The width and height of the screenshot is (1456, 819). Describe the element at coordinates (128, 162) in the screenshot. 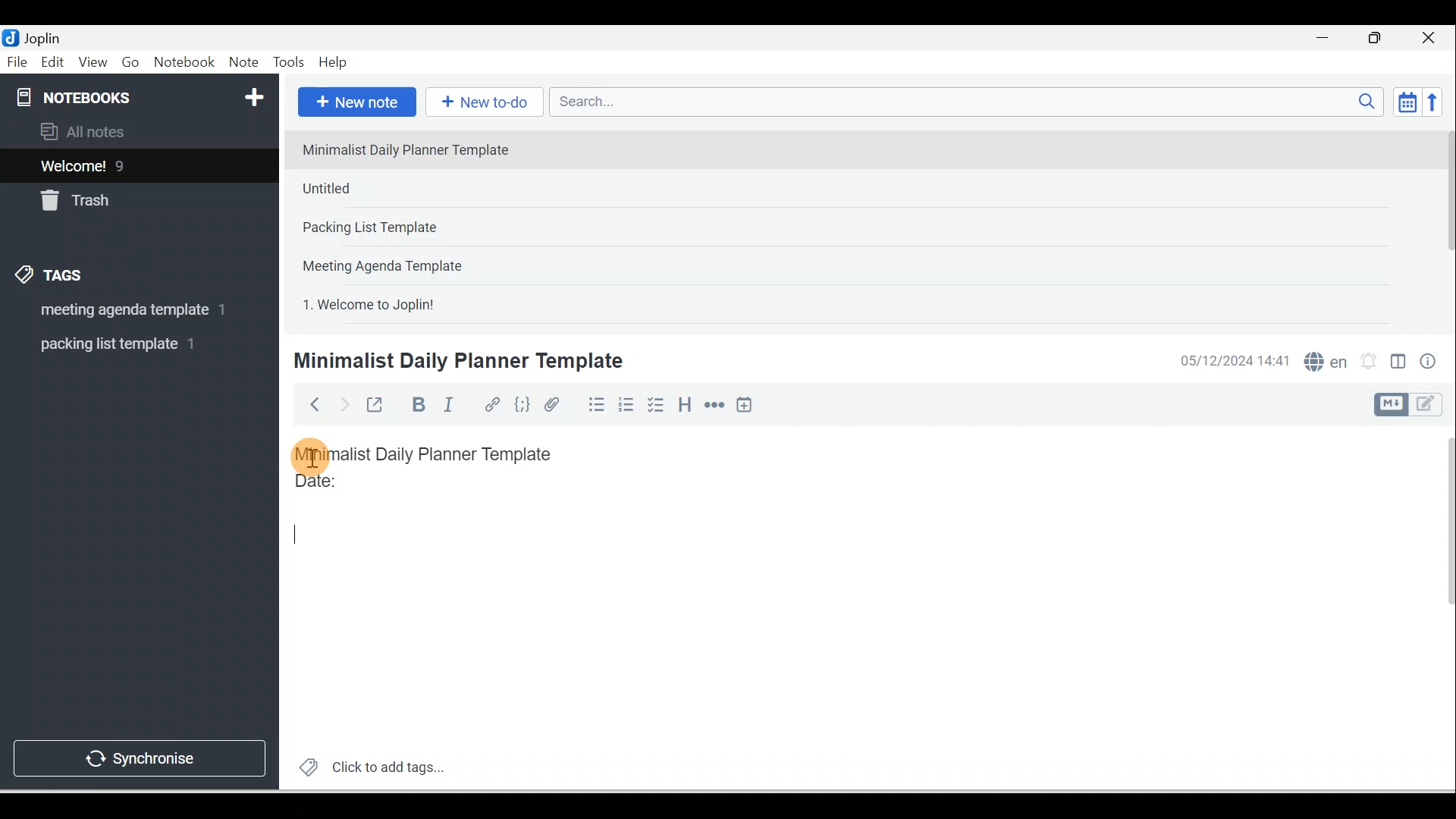

I see `Notes` at that location.